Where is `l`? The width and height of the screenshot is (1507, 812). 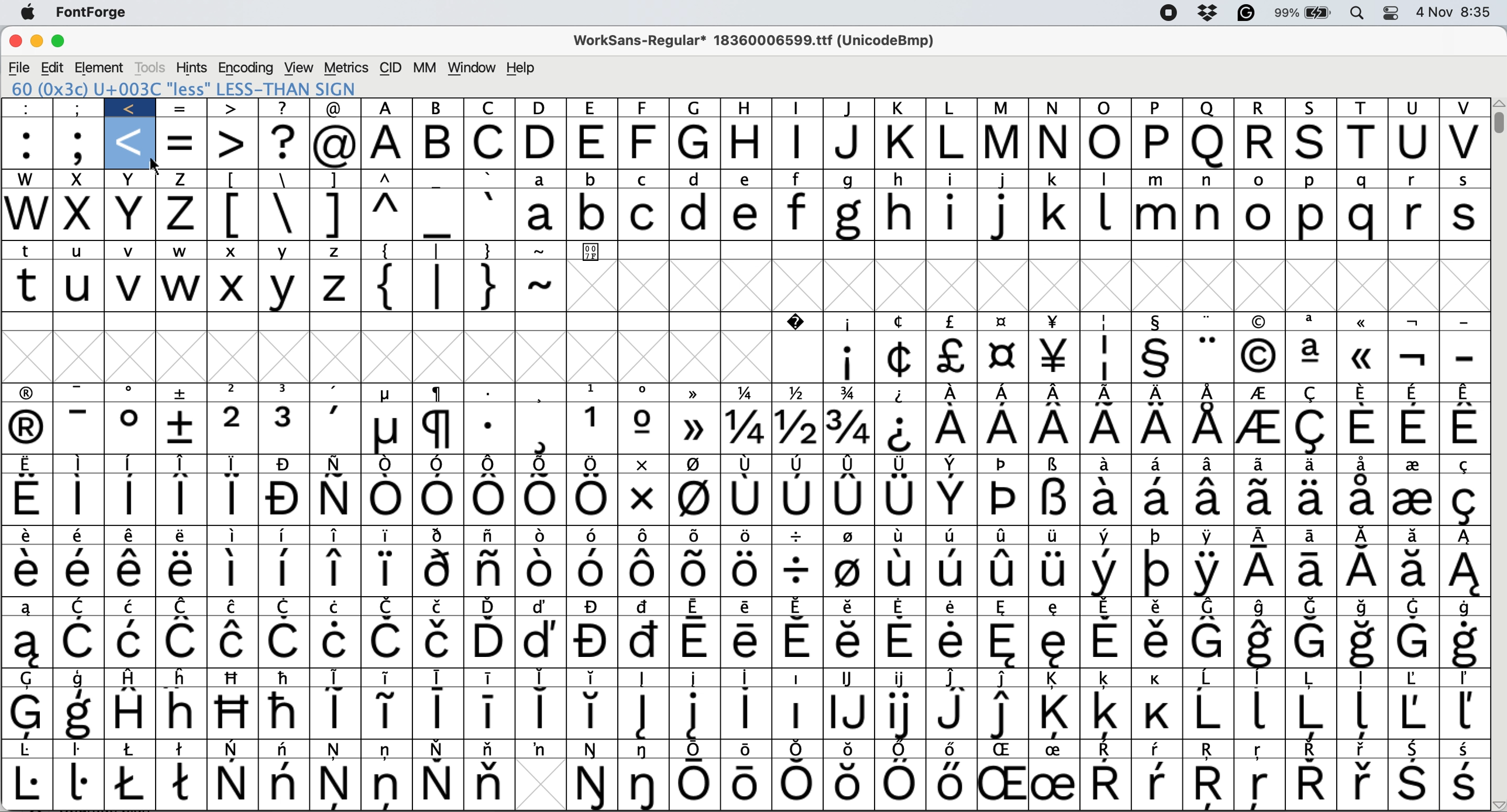
l is located at coordinates (1106, 180).